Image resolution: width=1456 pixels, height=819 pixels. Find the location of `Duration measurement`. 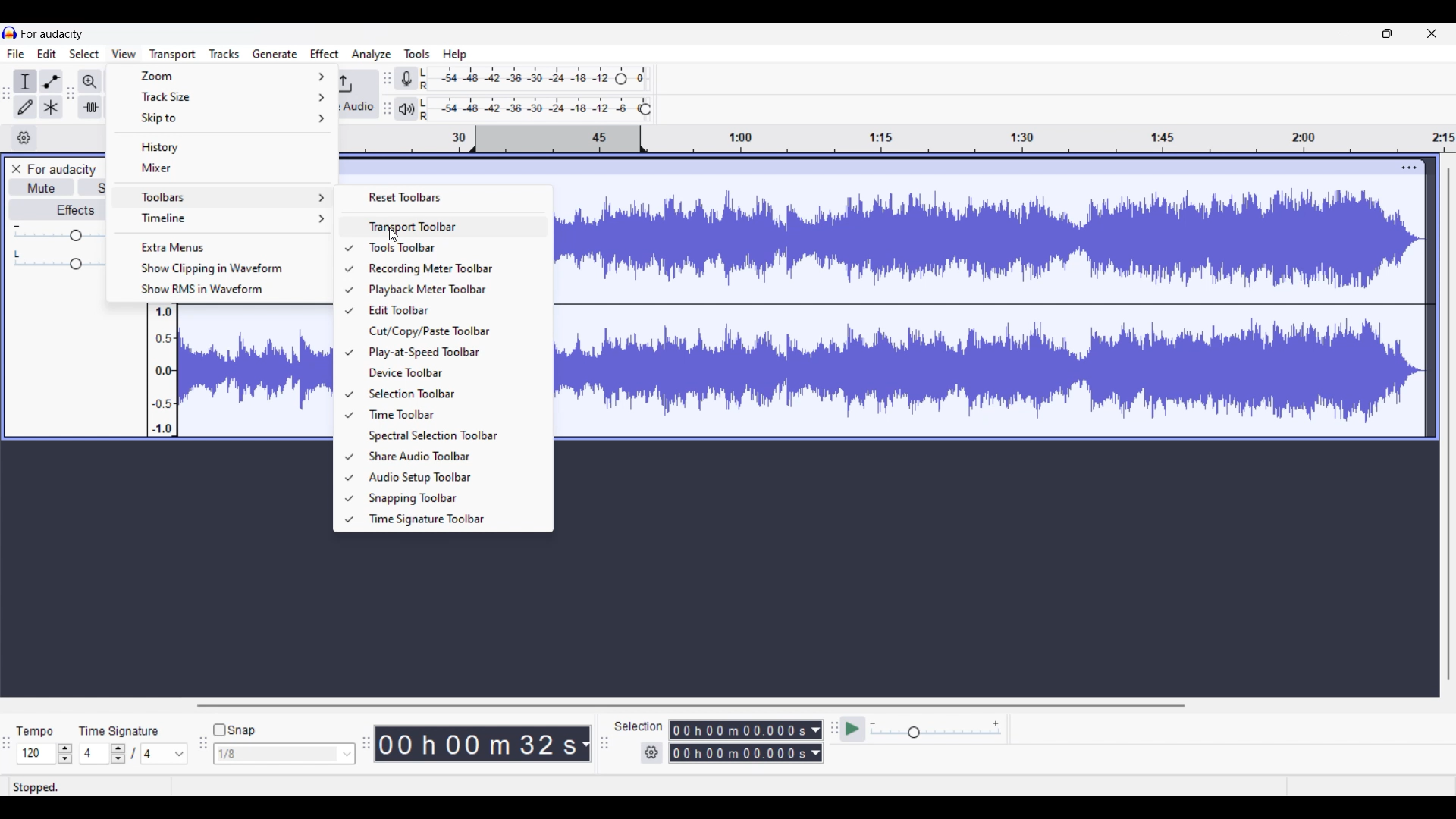

Duration measurement is located at coordinates (817, 730).